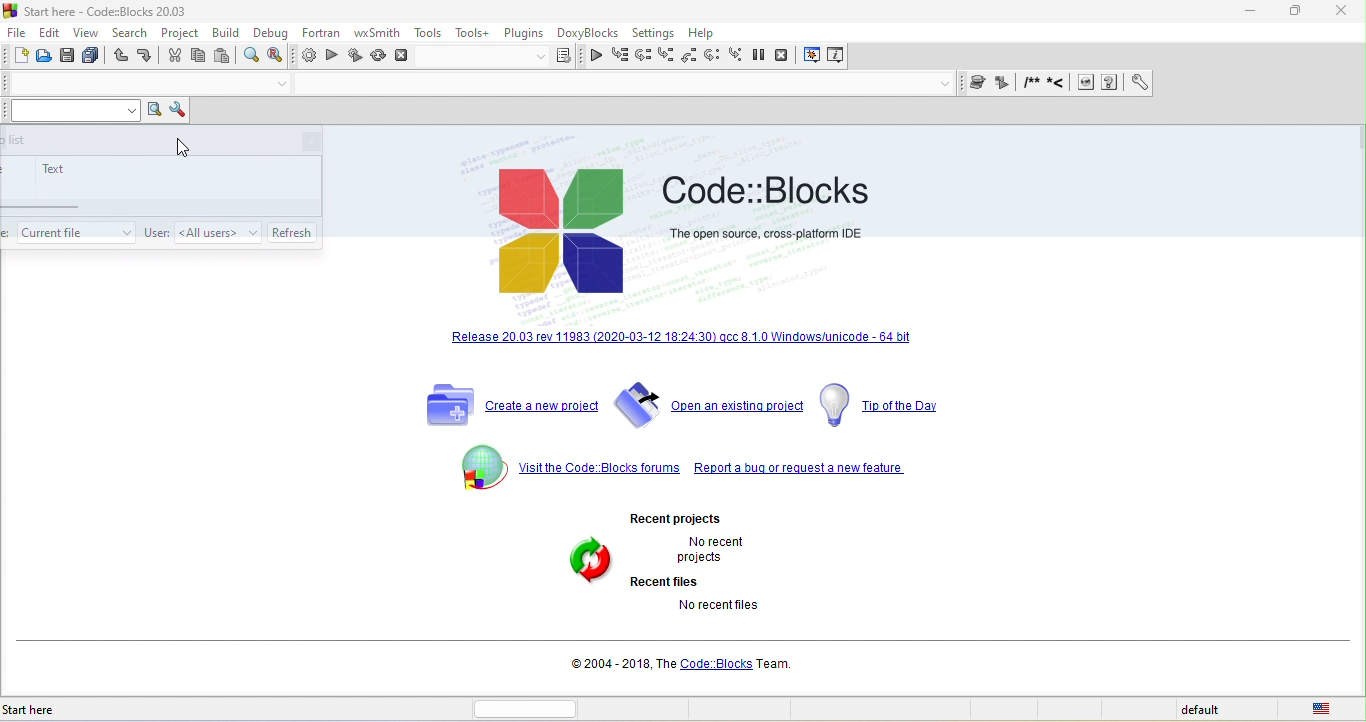  Describe the element at coordinates (741, 615) in the screenshot. I see `no recent files ` at that location.